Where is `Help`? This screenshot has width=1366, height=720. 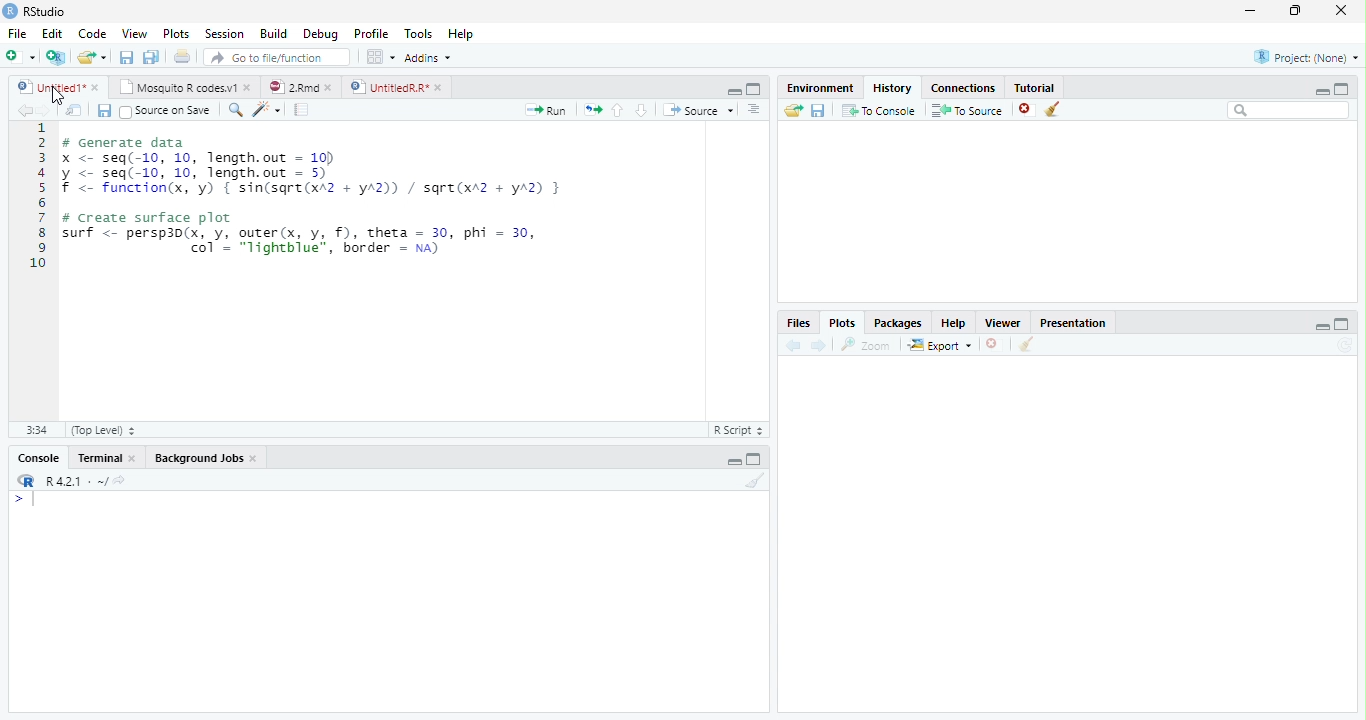 Help is located at coordinates (460, 33).